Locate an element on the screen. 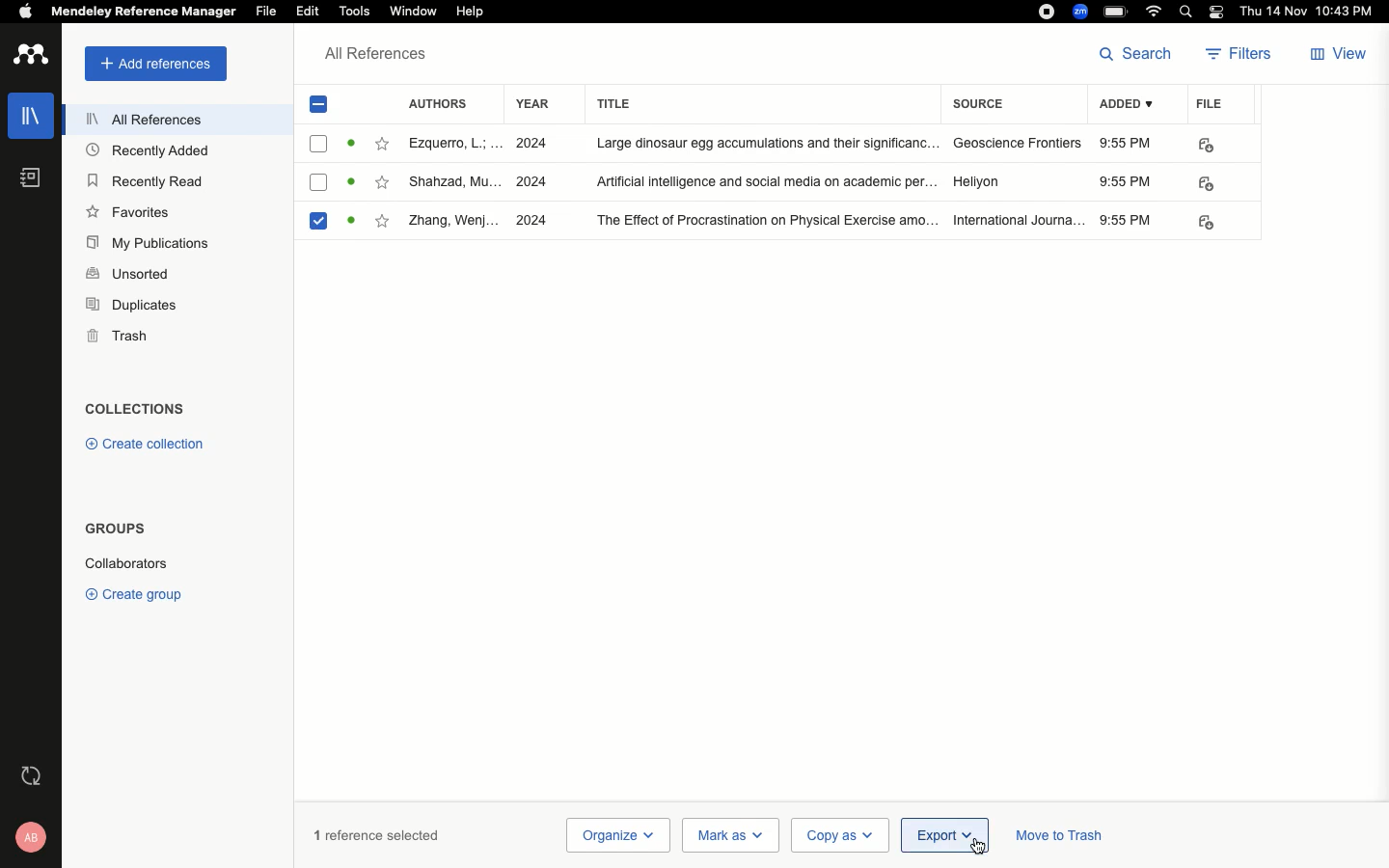  read is located at coordinates (353, 143).